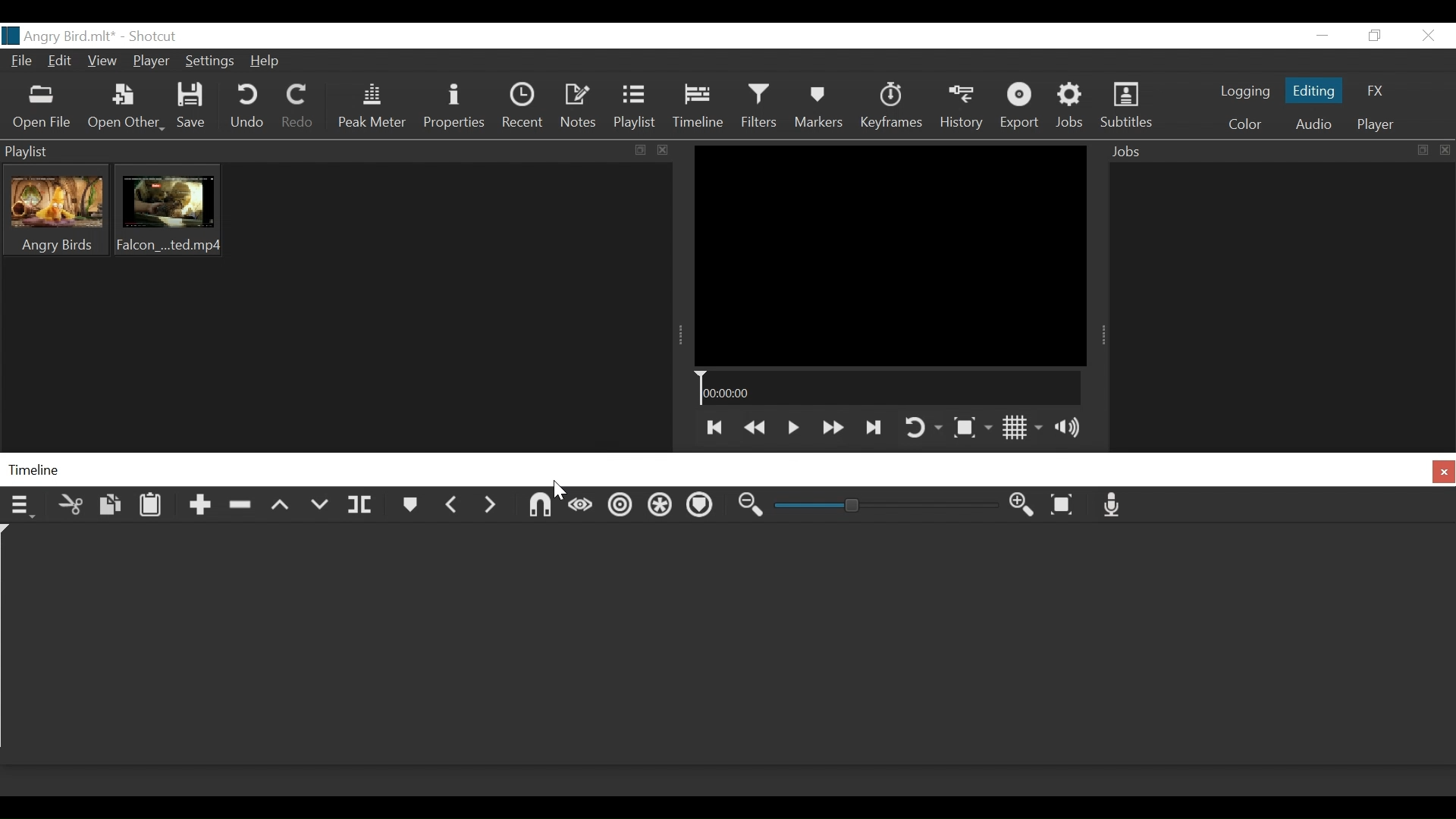 Image resolution: width=1456 pixels, height=819 pixels. What do you see at coordinates (453, 508) in the screenshot?
I see `Previous marker` at bounding box center [453, 508].